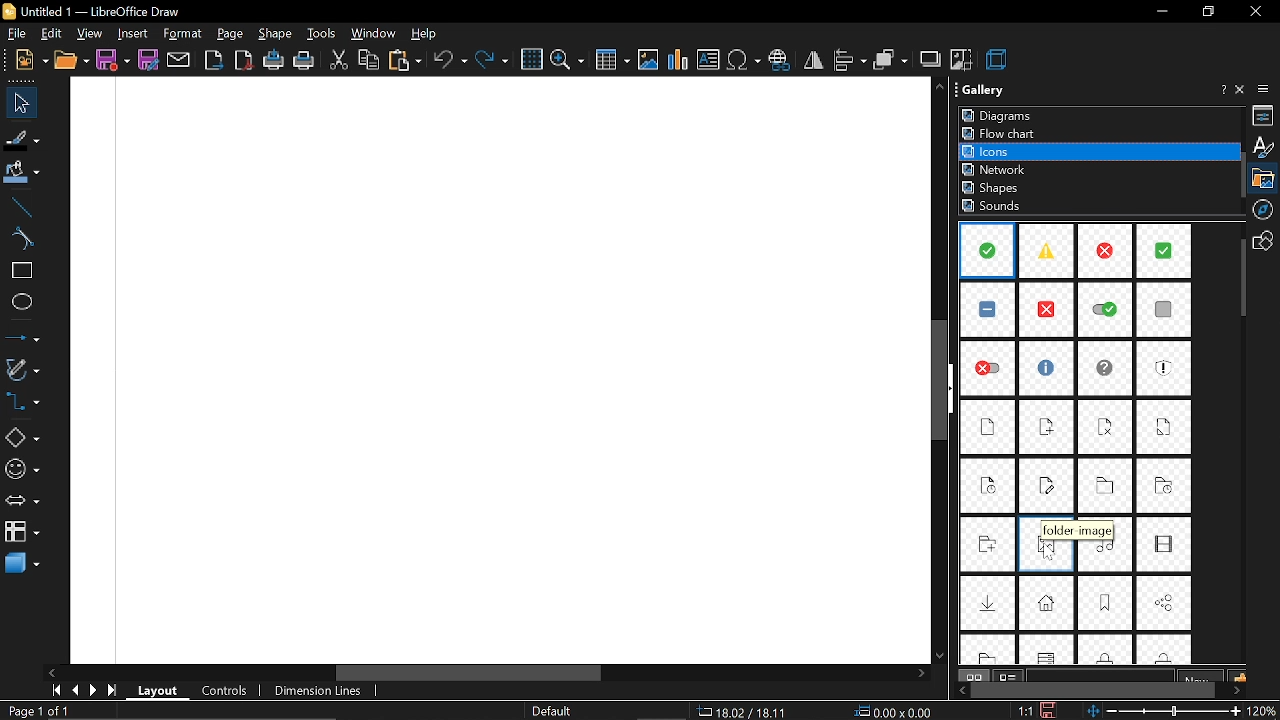 This screenshot has width=1280, height=720. Describe the element at coordinates (1025, 710) in the screenshot. I see `1:1` at that location.